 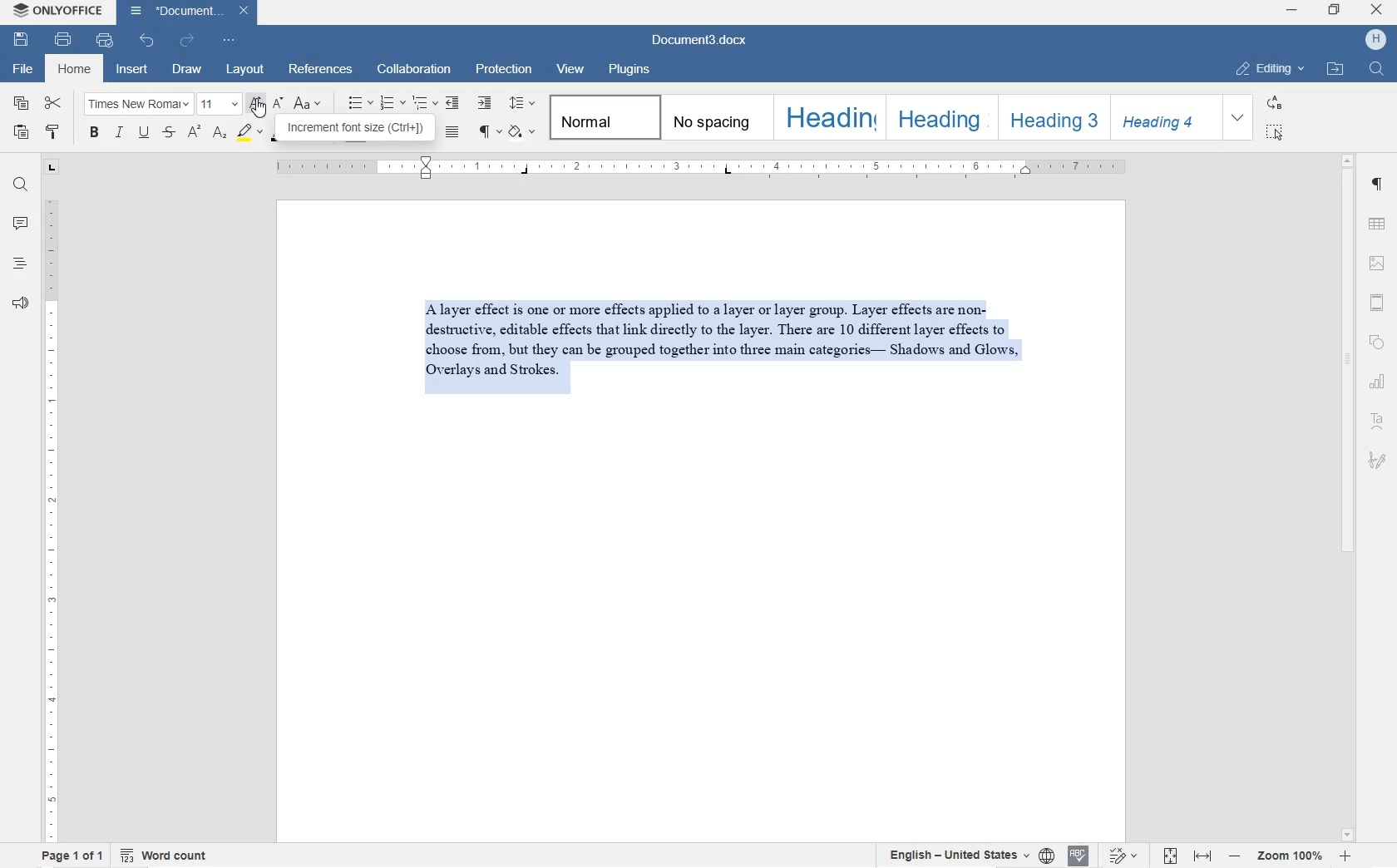 What do you see at coordinates (218, 104) in the screenshot?
I see `font size` at bounding box center [218, 104].